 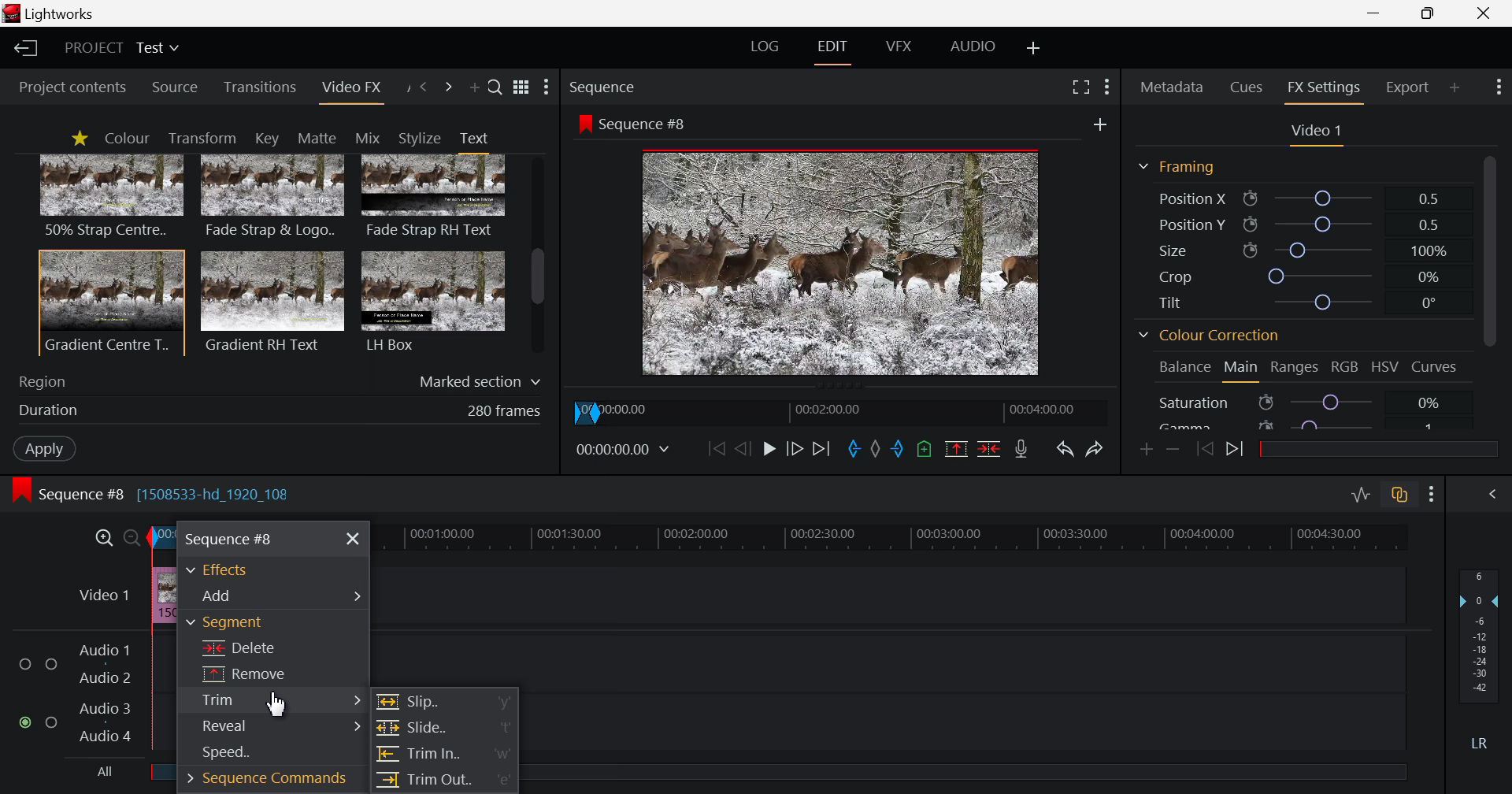 I want to click on Sequence #8, so click(x=639, y=122).